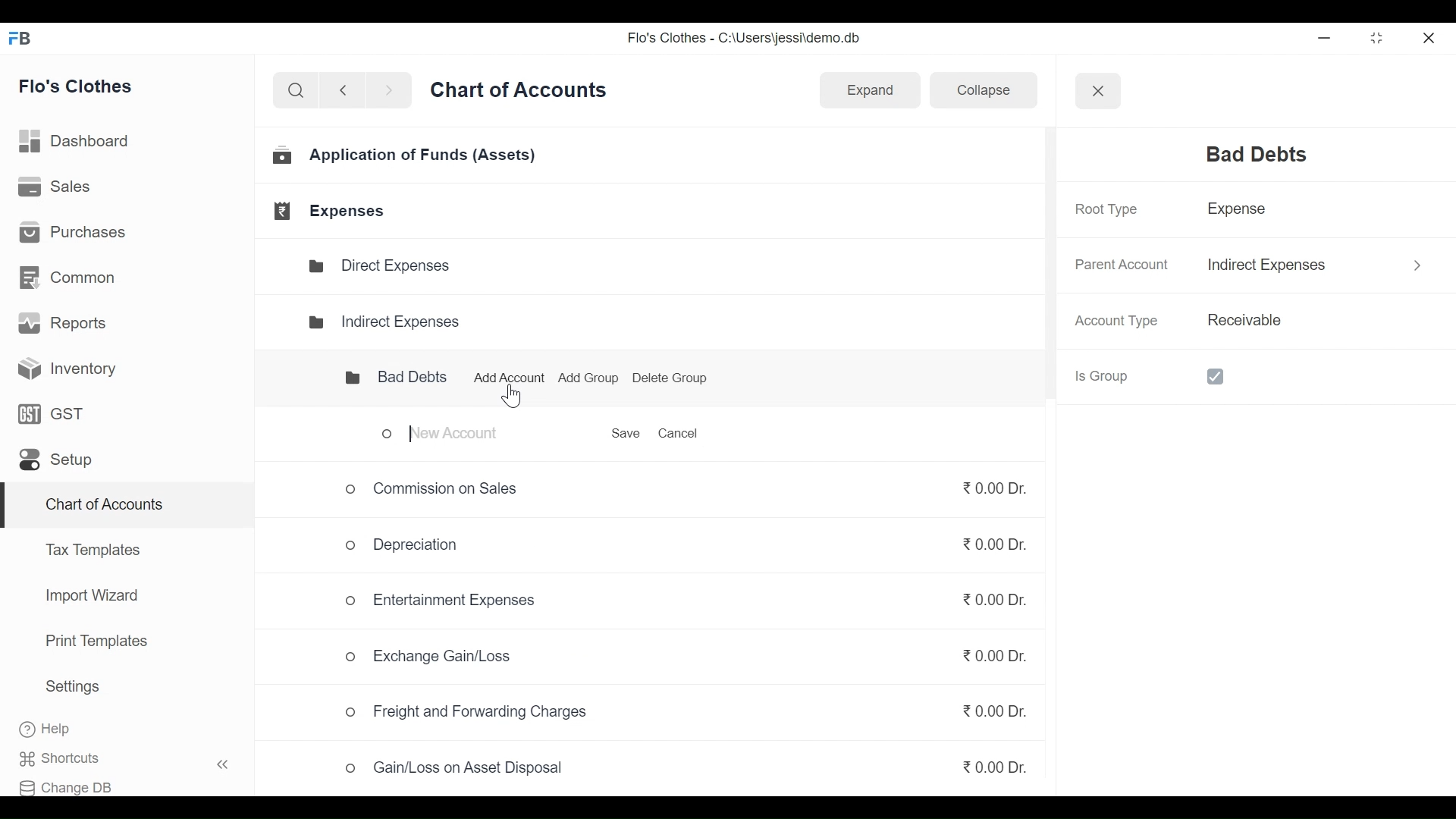 This screenshot has height=819, width=1456. I want to click on FB, so click(24, 42).